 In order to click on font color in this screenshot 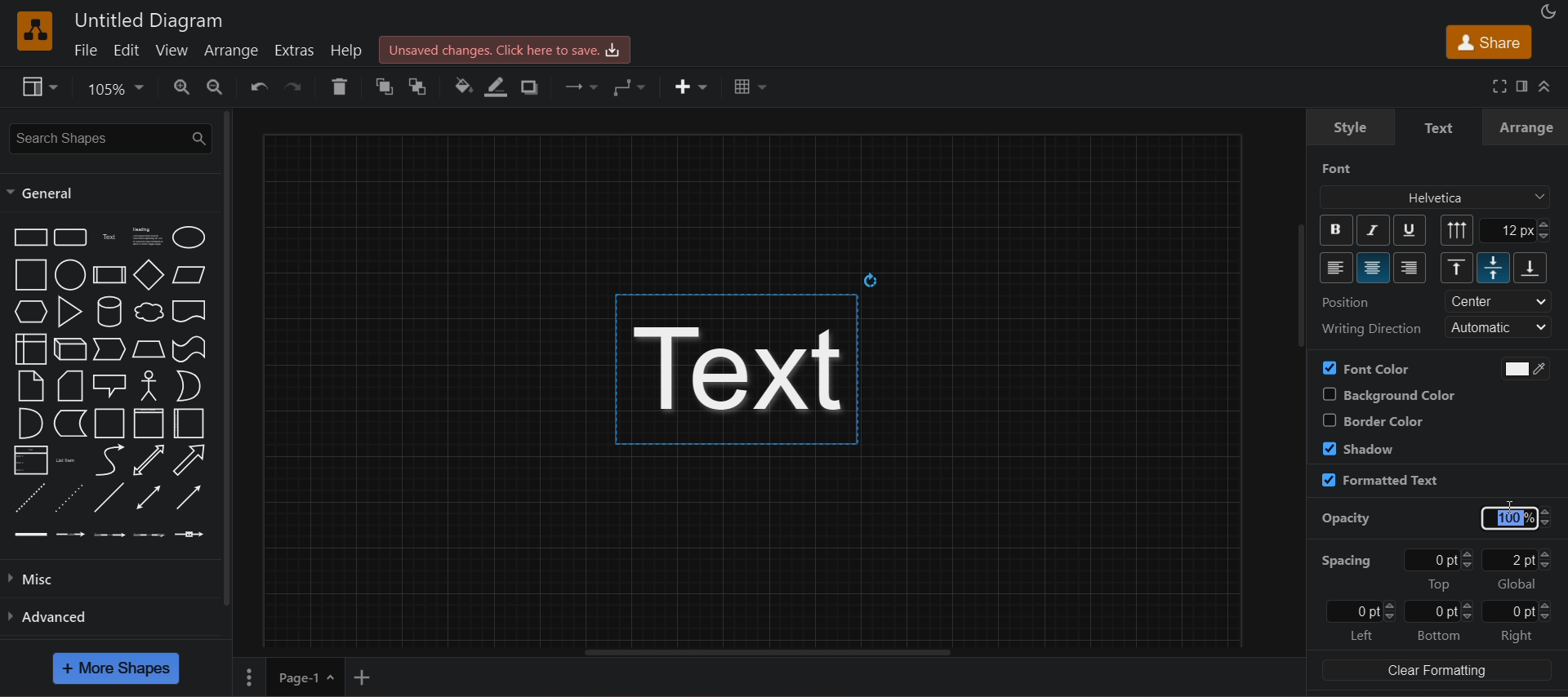, I will do `click(1366, 368)`.